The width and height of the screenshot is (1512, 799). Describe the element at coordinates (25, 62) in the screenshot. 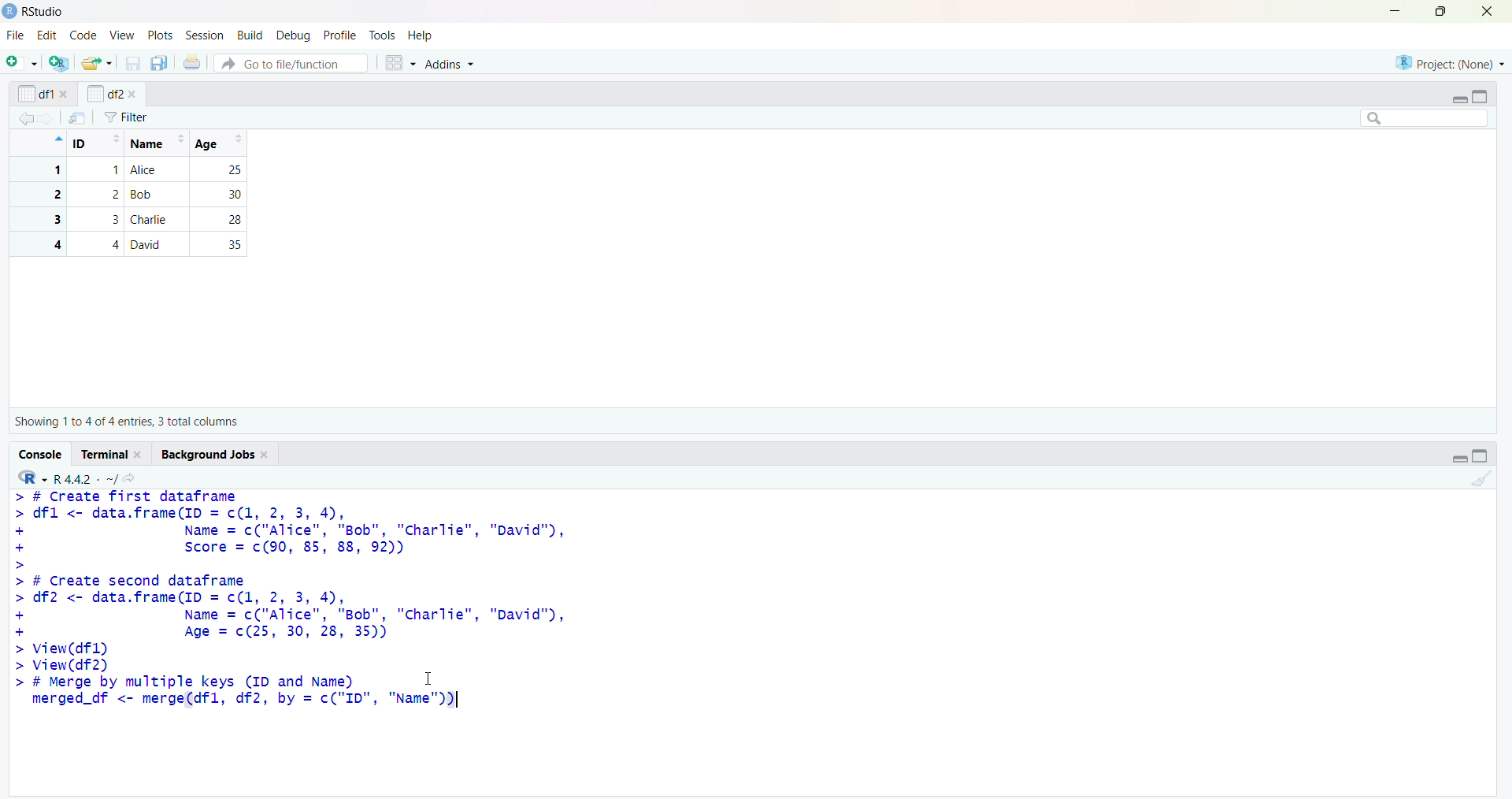

I see `add file as` at that location.